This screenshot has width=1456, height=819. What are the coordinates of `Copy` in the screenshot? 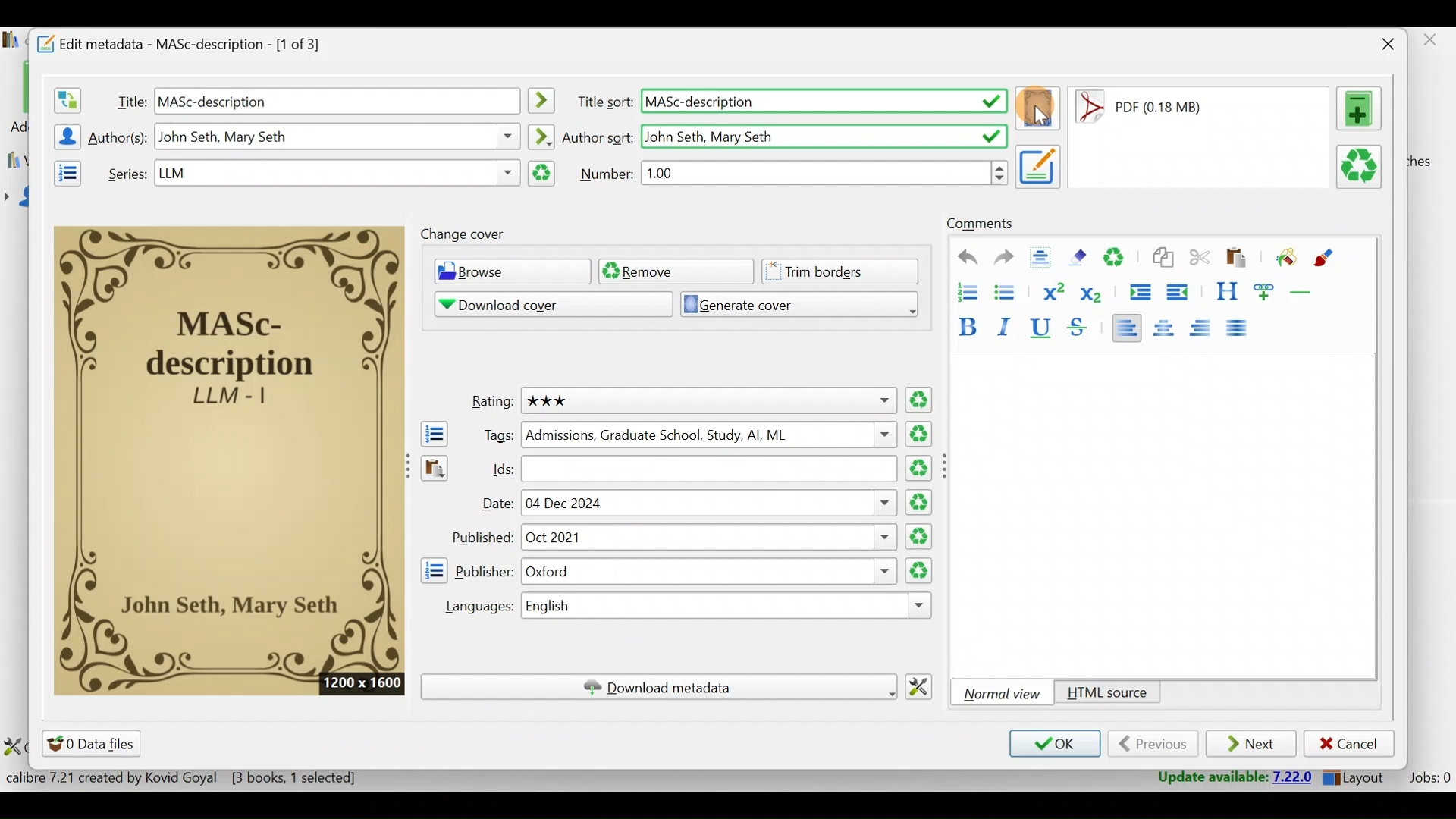 It's located at (1162, 259).